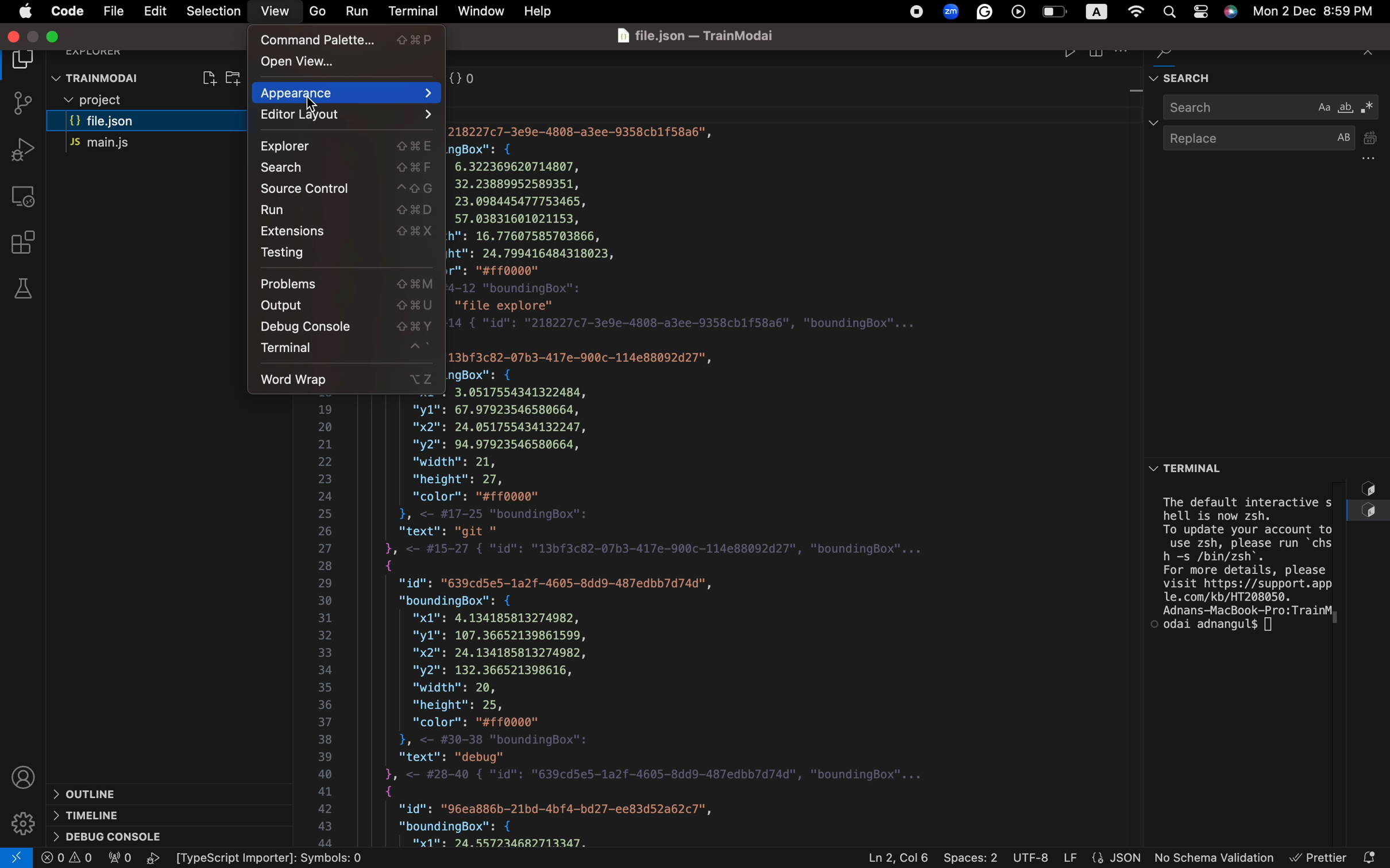  What do you see at coordinates (24, 777) in the screenshot?
I see `profile` at bounding box center [24, 777].